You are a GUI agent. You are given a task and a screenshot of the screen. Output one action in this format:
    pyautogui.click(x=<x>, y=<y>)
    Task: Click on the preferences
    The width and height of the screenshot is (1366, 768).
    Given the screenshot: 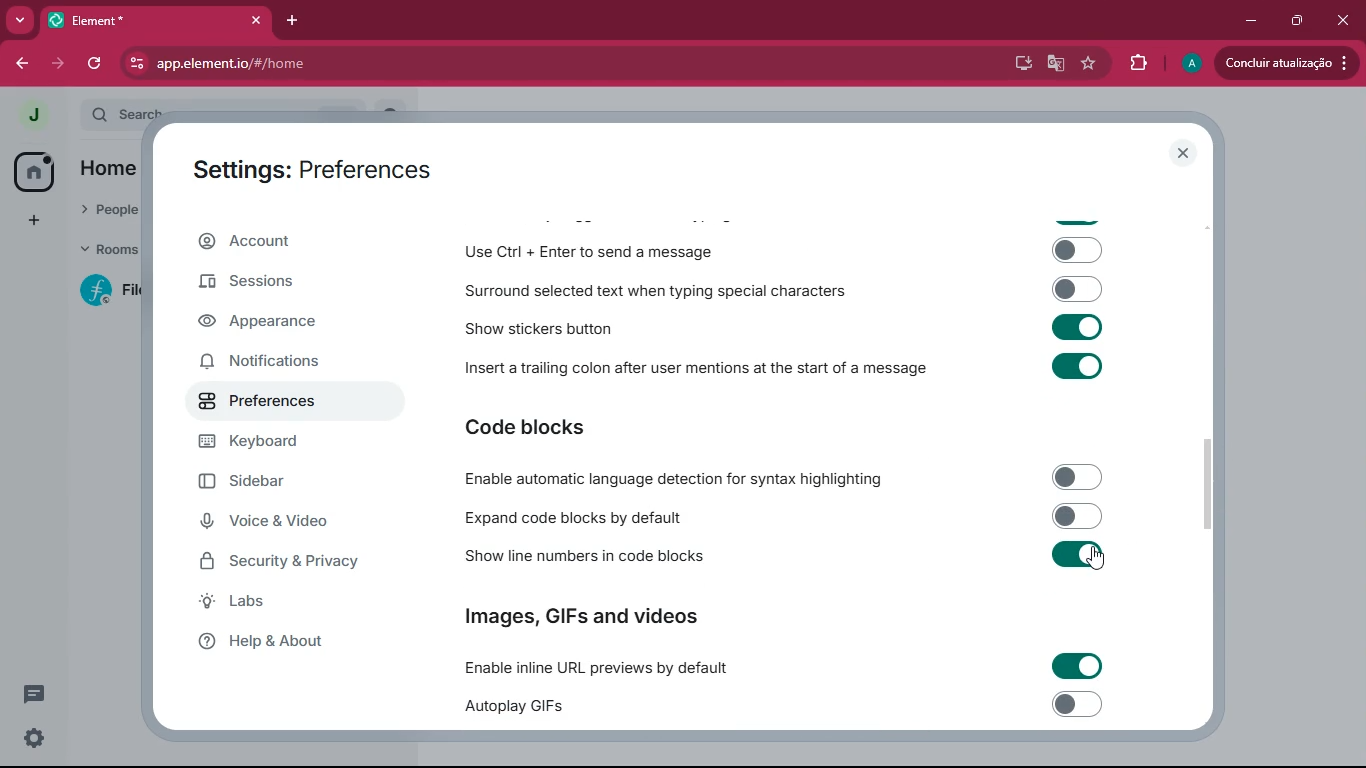 What is the action you would take?
    pyautogui.click(x=268, y=404)
    